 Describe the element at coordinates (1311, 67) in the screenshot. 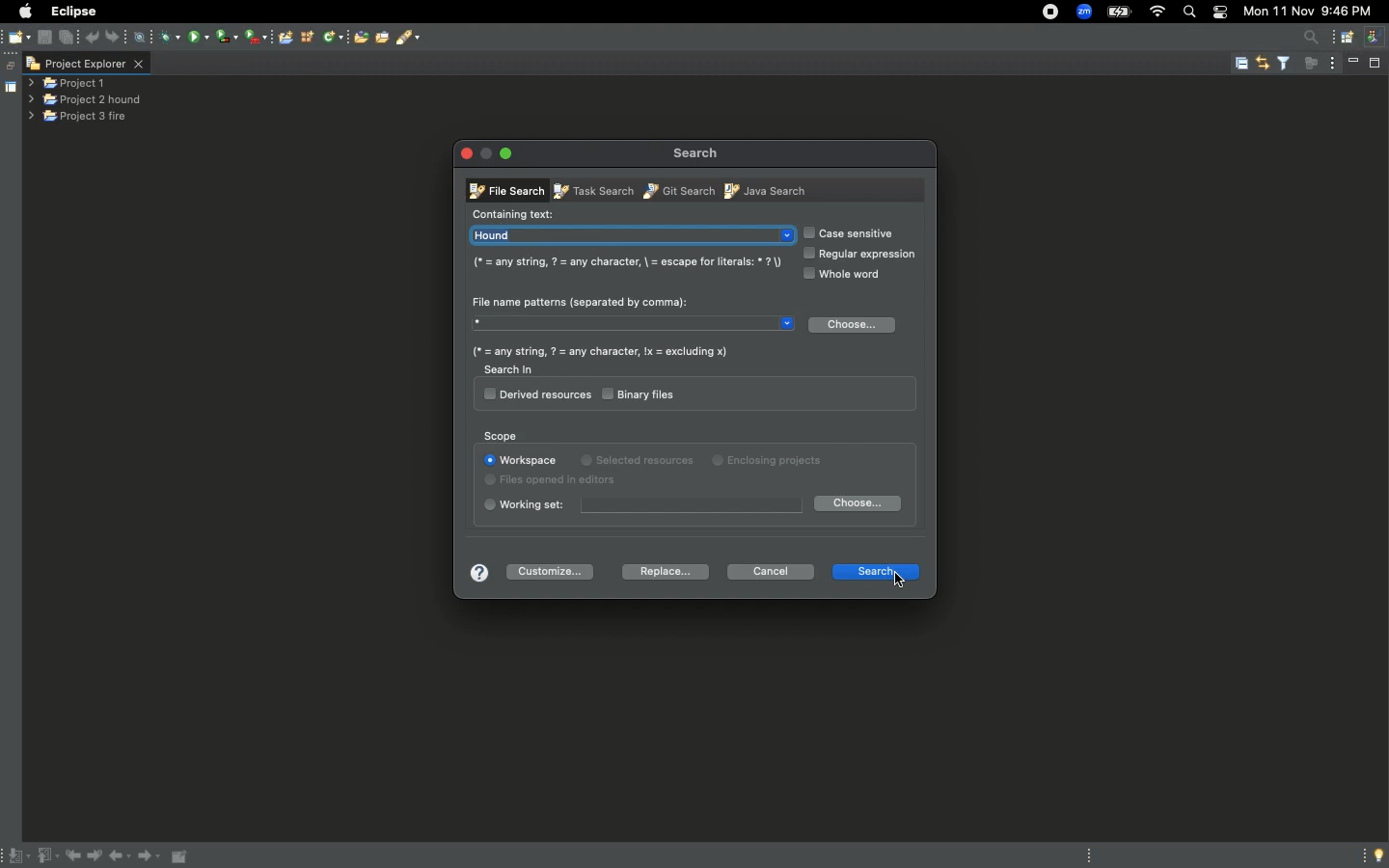

I see `focus on active activity` at that location.